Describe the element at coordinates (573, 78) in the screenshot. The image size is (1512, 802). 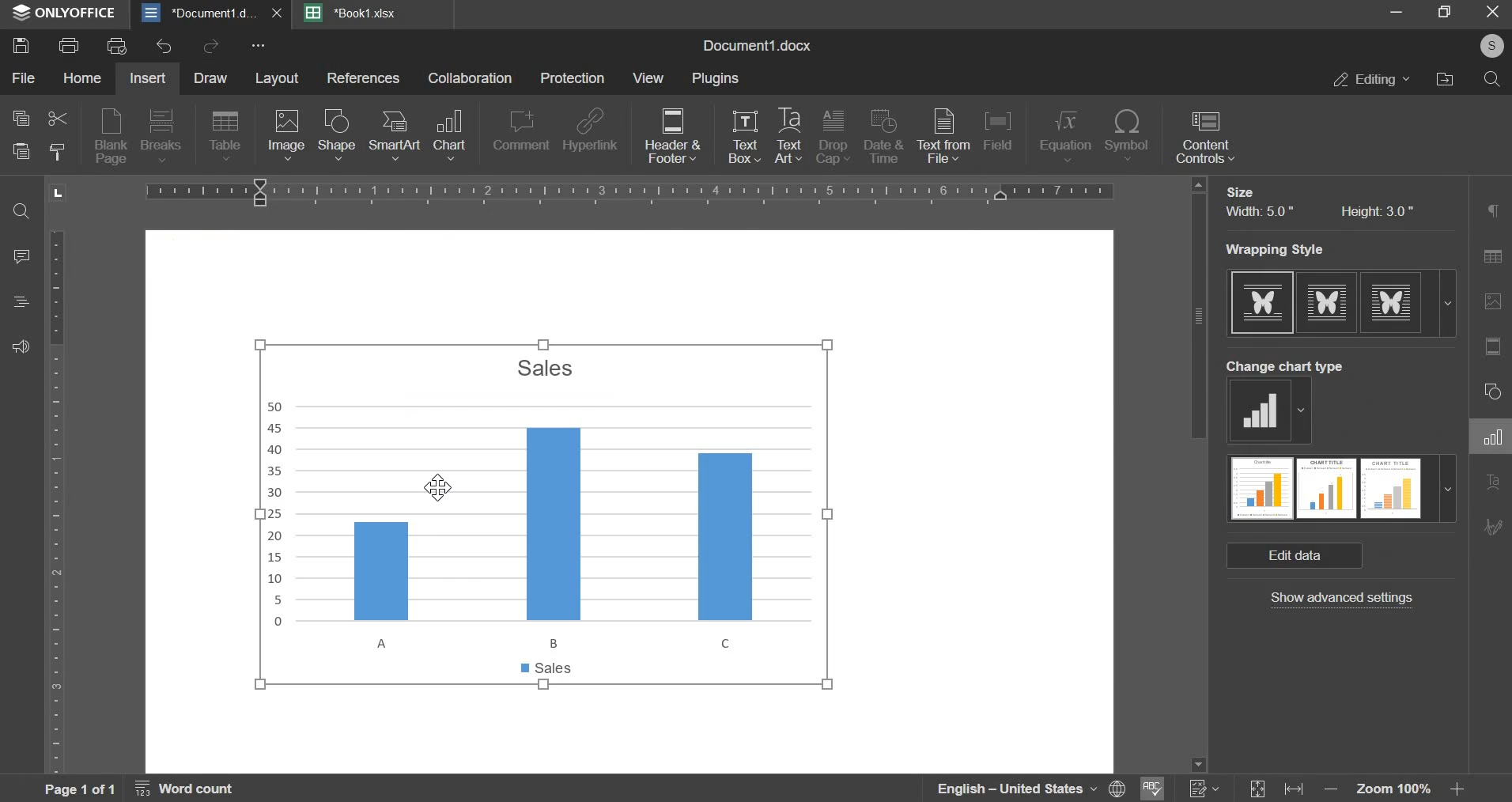
I see `protection` at that location.